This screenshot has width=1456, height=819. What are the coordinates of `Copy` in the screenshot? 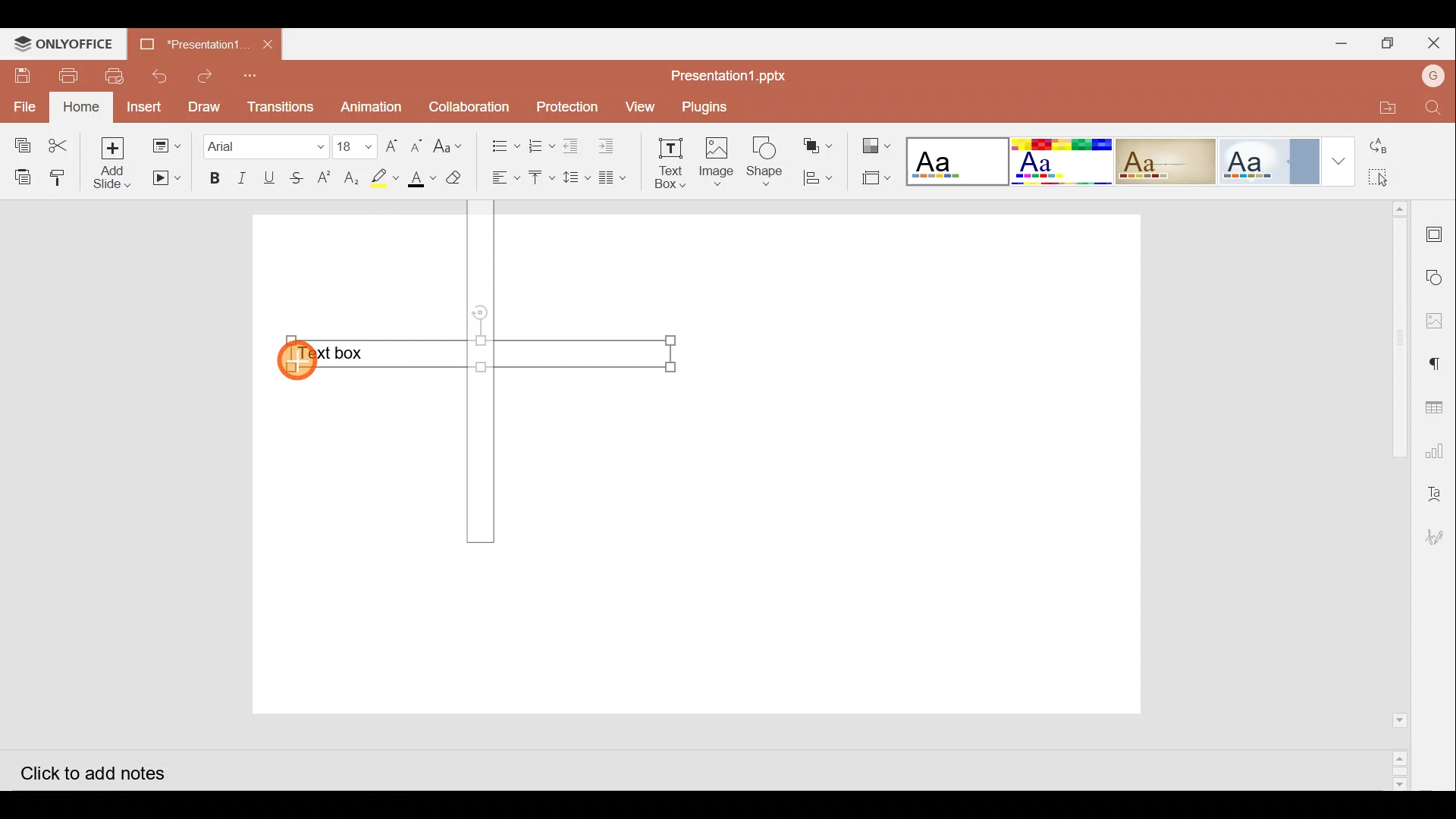 It's located at (19, 141).